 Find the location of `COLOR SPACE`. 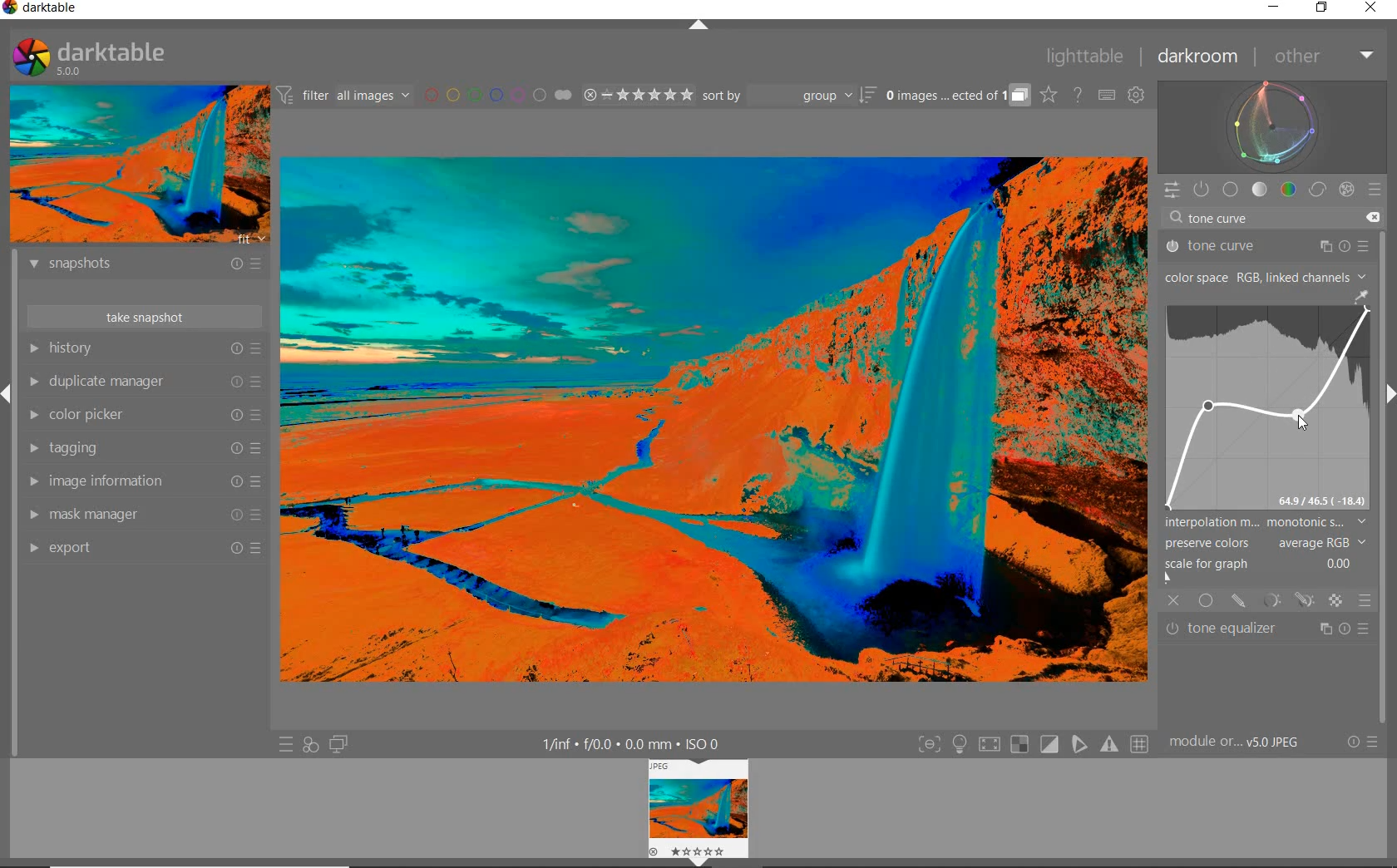

COLOR SPACE is located at coordinates (1266, 276).